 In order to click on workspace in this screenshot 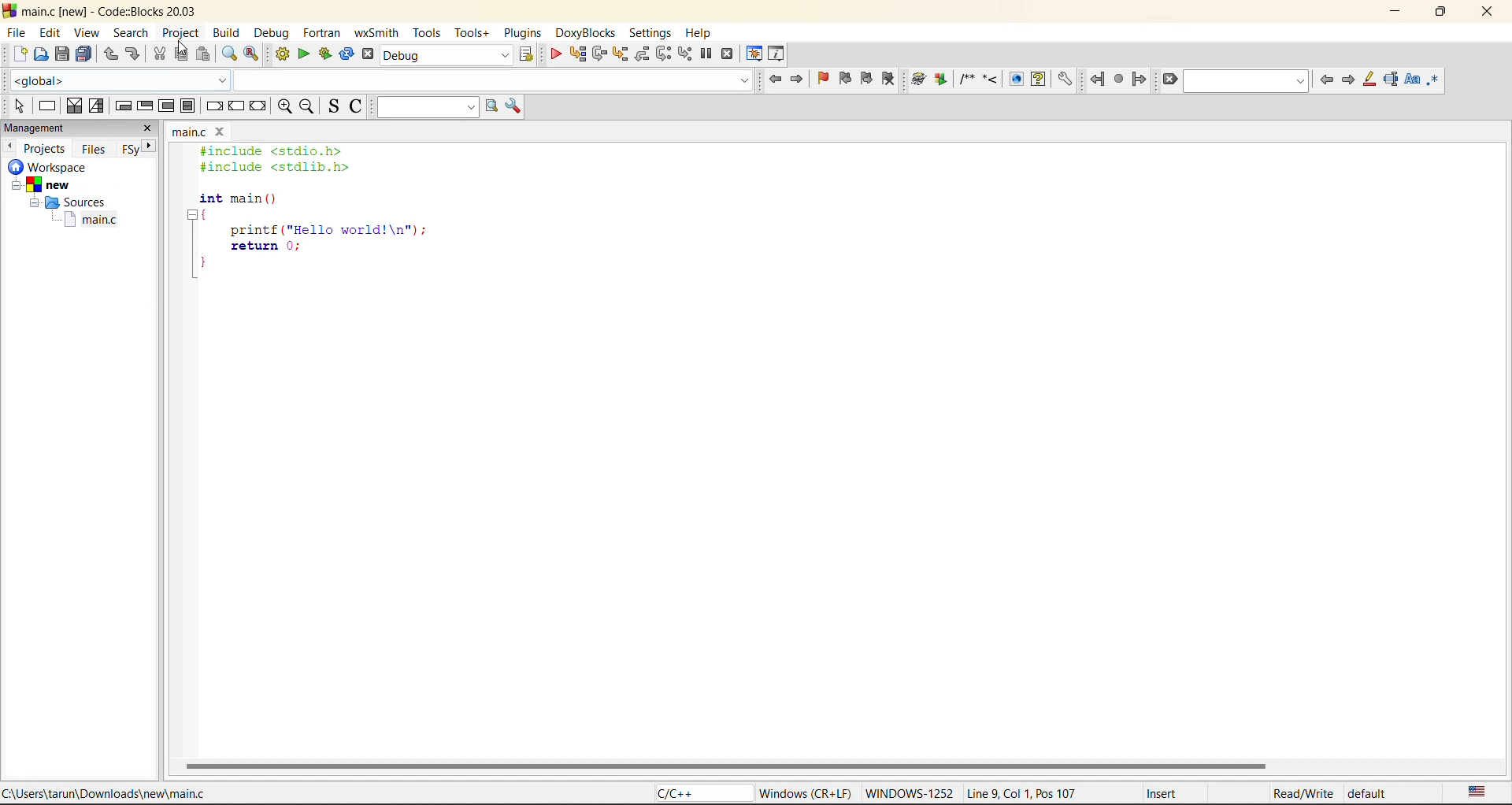, I will do `click(51, 168)`.